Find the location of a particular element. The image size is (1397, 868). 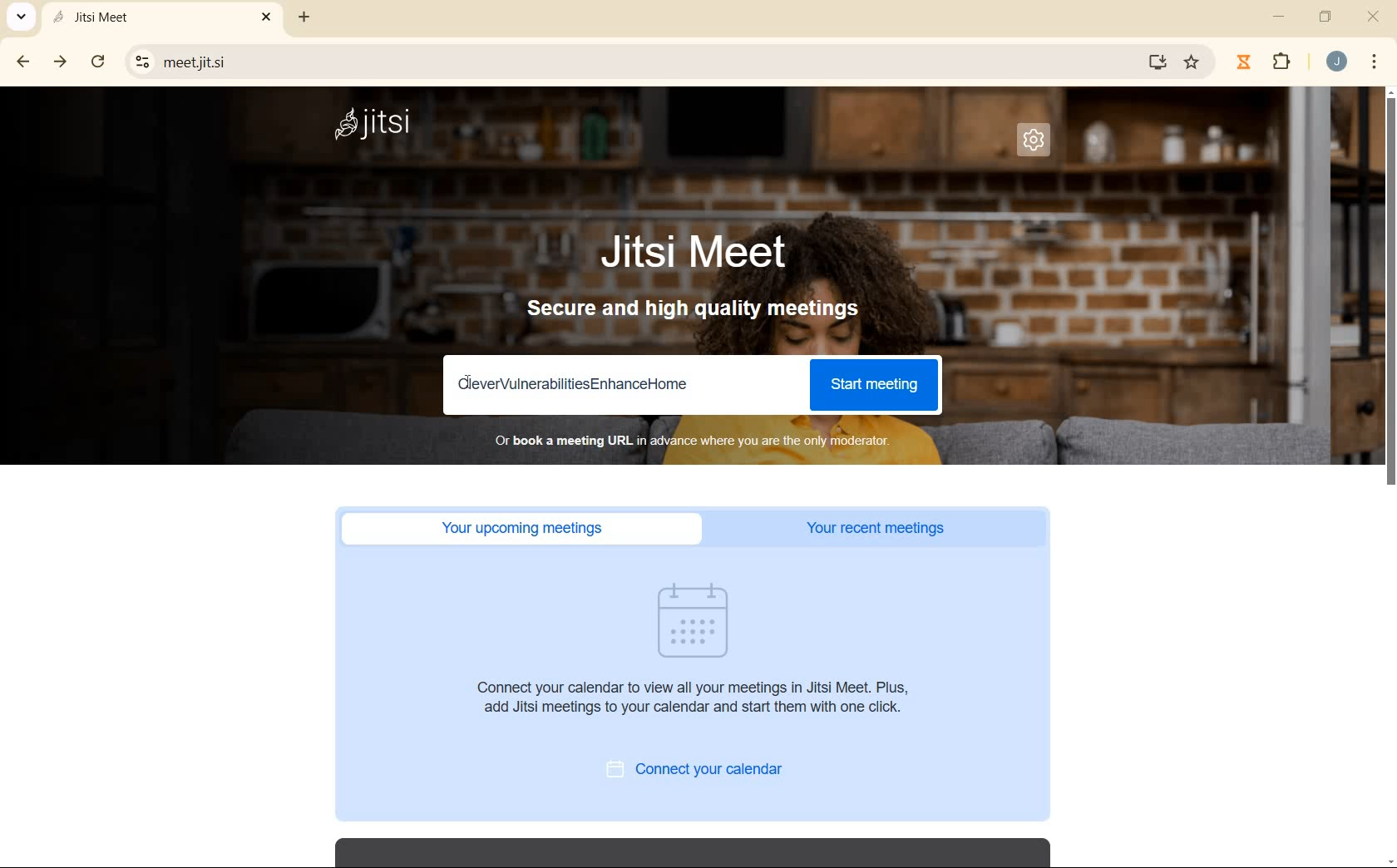

CLOSE is located at coordinates (1373, 18).